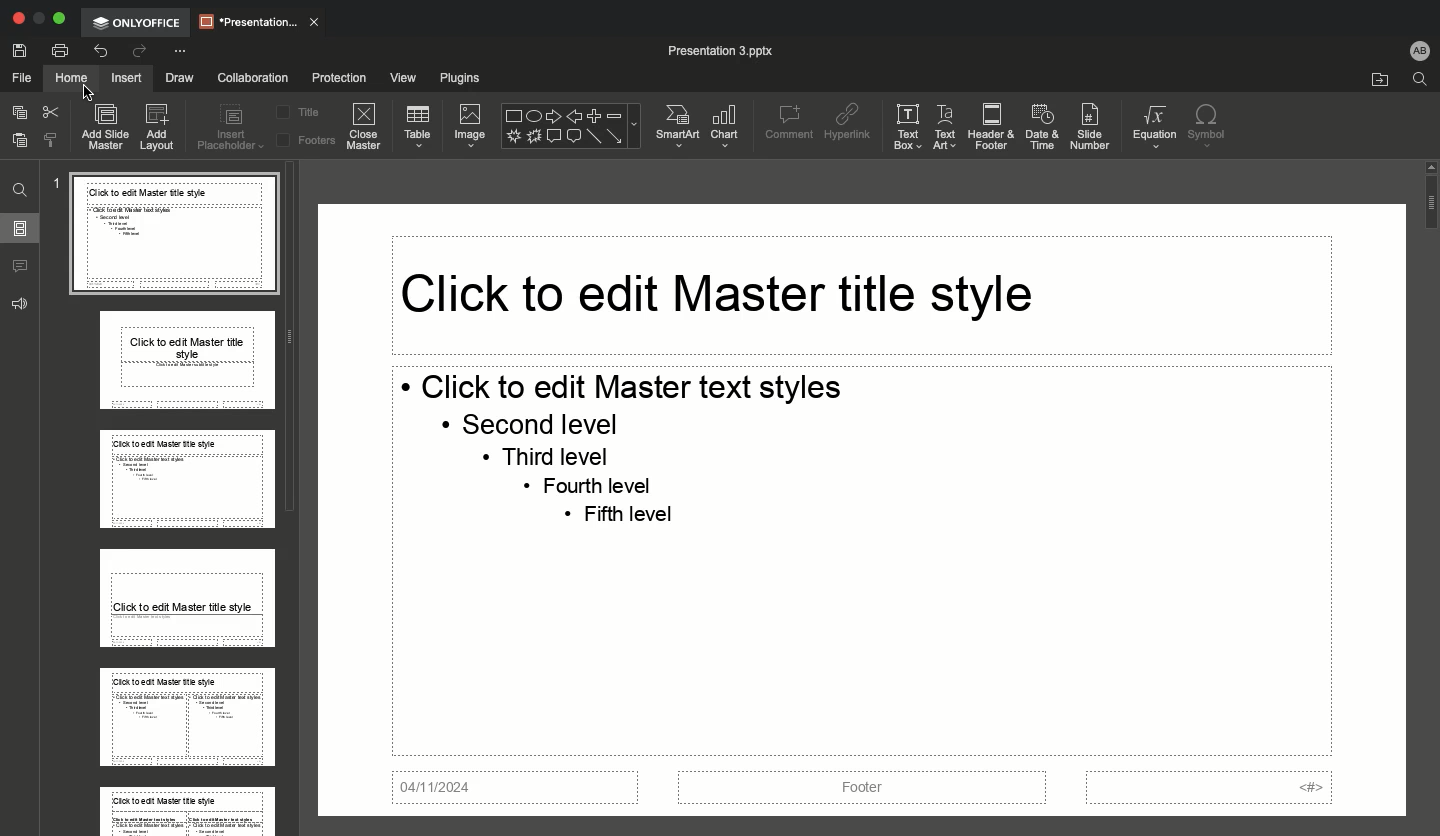 This screenshot has height=836, width=1440. What do you see at coordinates (521, 788) in the screenshot?
I see `04/11/2024` at bounding box center [521, 788].